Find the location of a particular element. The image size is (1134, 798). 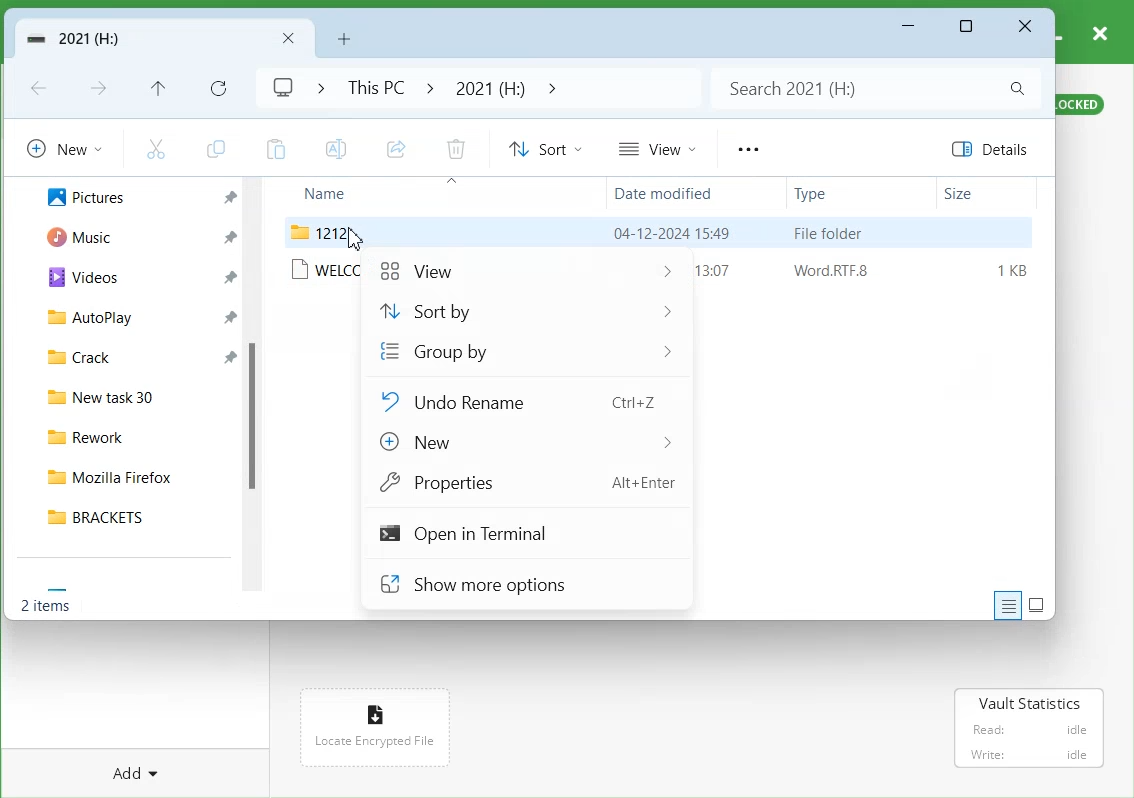

Group by is located at coordinates (526, 351).